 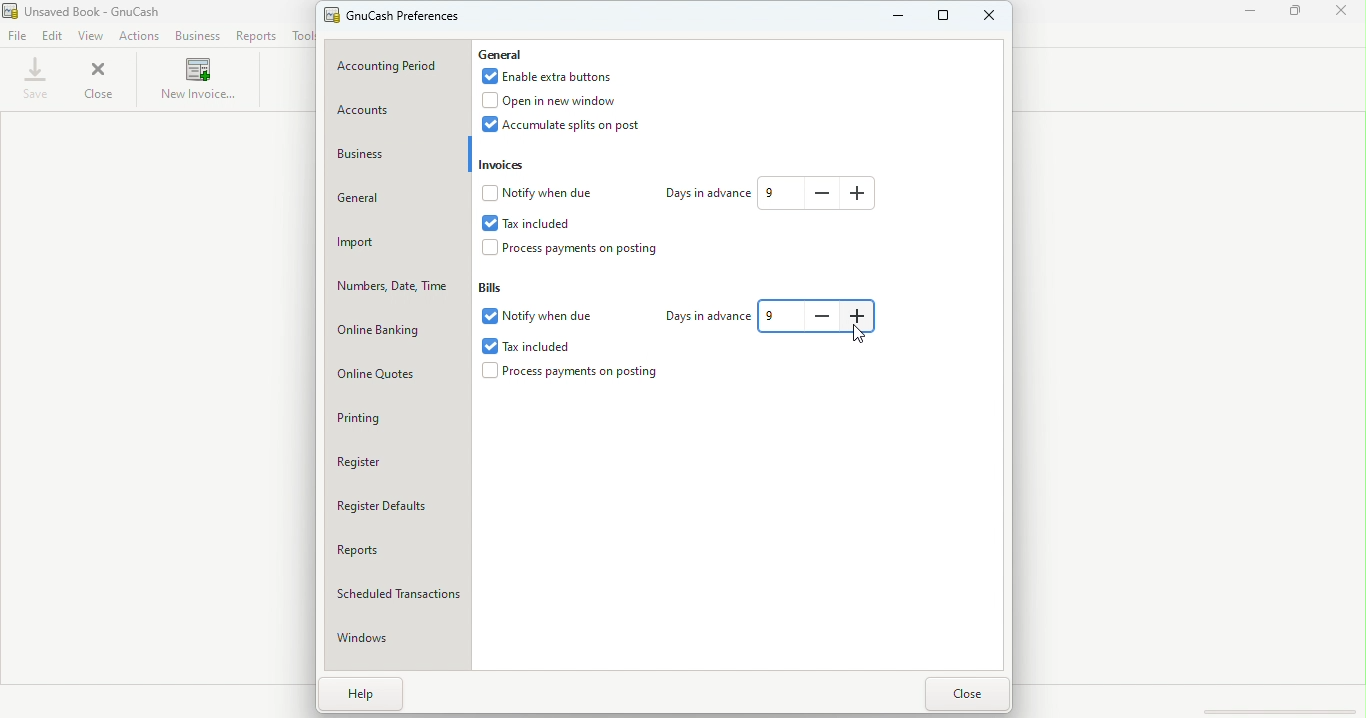 What do you see at coordinates (393, 550) in the screenshot?
I see `Reports` at bounding box center [393, 550].